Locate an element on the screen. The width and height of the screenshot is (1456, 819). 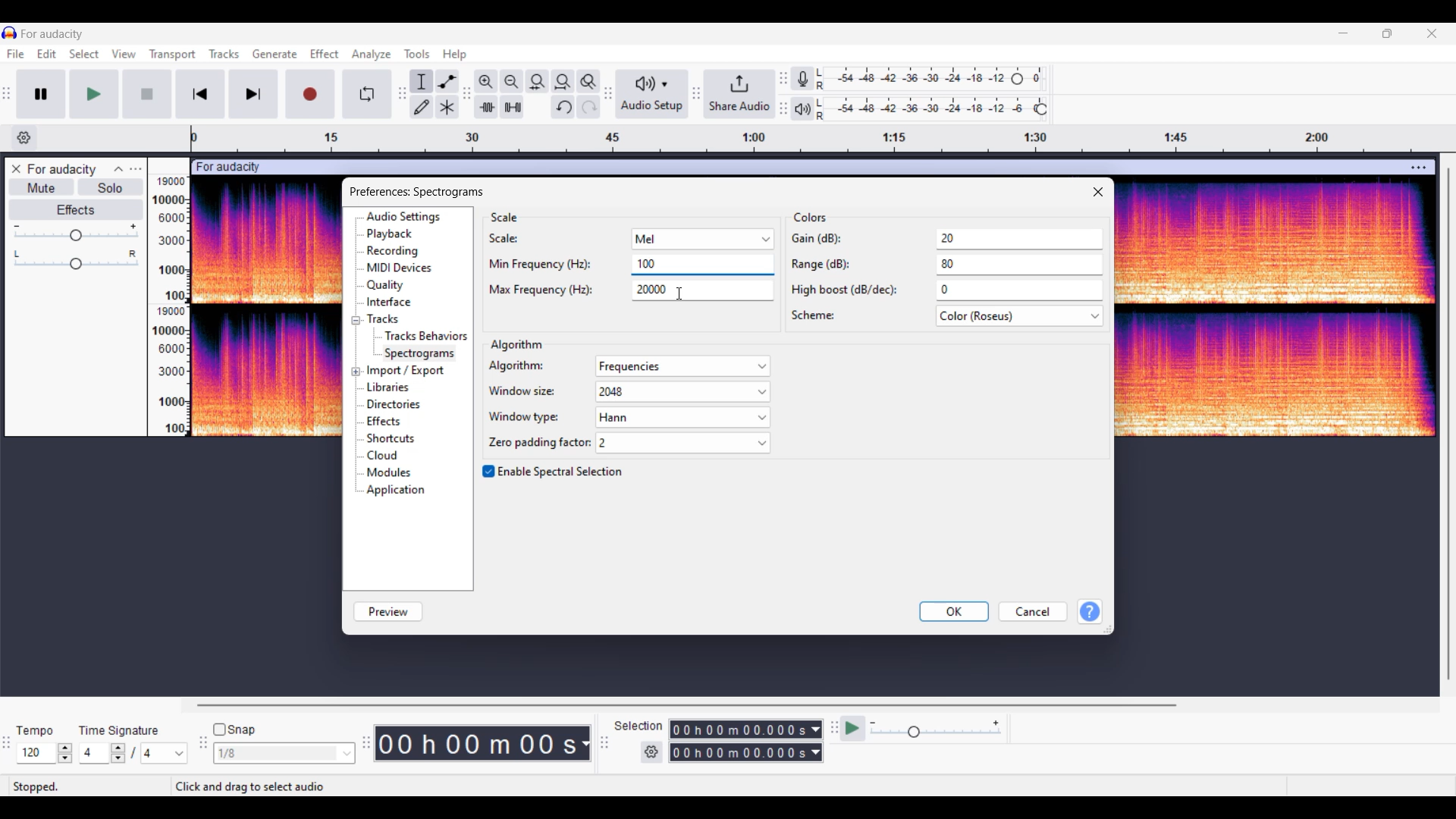
View menu is located at coordinates (126, 55).